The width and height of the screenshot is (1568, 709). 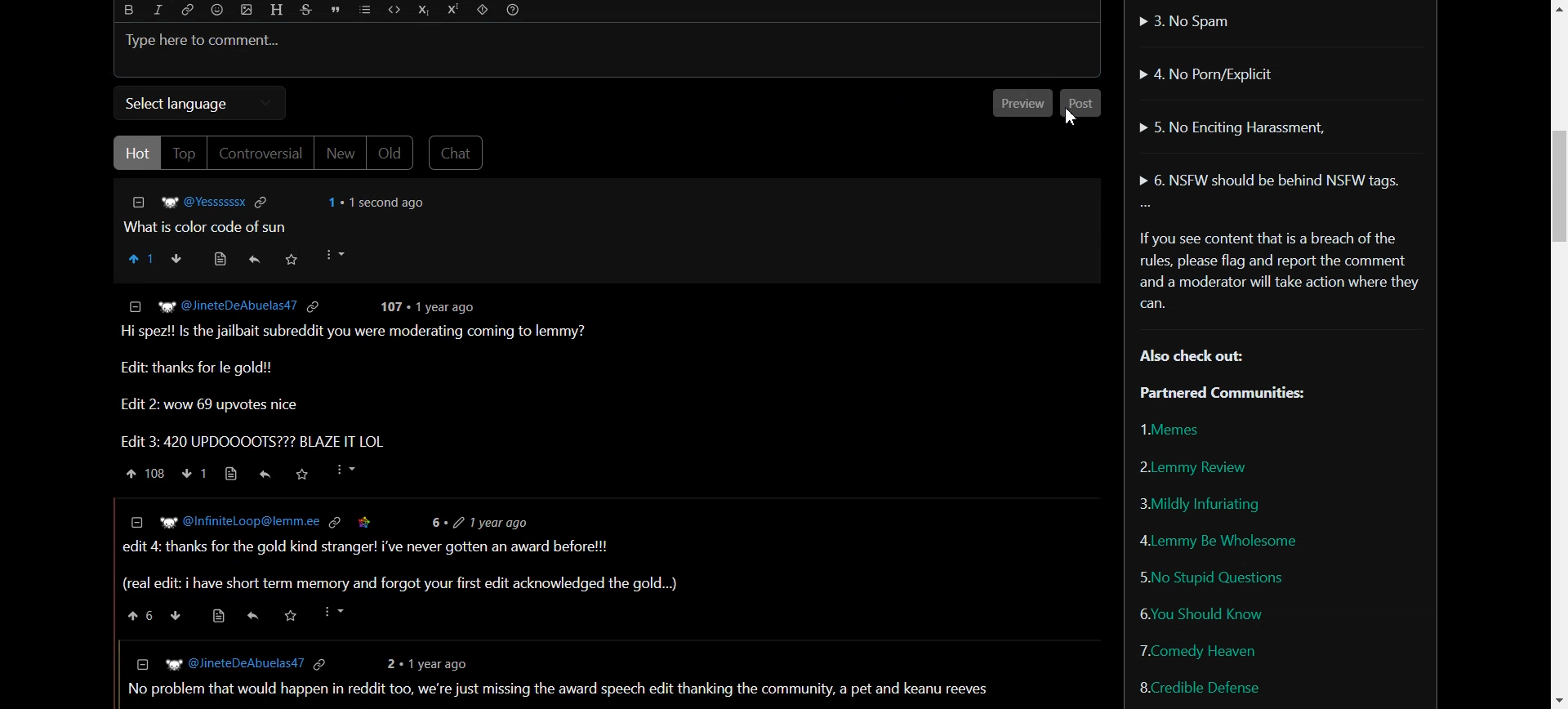 I want to click on No Spam, so click(x=1197, y=22).